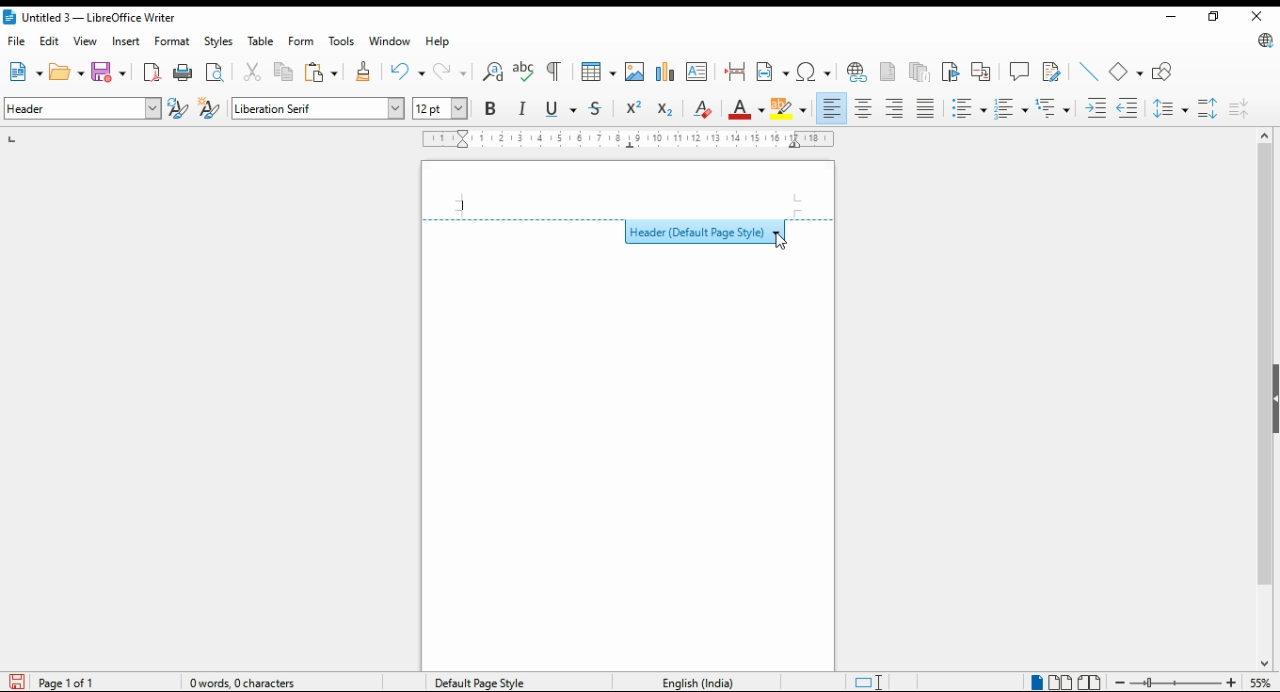 The height and width of the screenshot is (692, 1280). What do you see at coordinates (832, 108) in the screenshot?
I see `align left` at bounding box center [832, 108].